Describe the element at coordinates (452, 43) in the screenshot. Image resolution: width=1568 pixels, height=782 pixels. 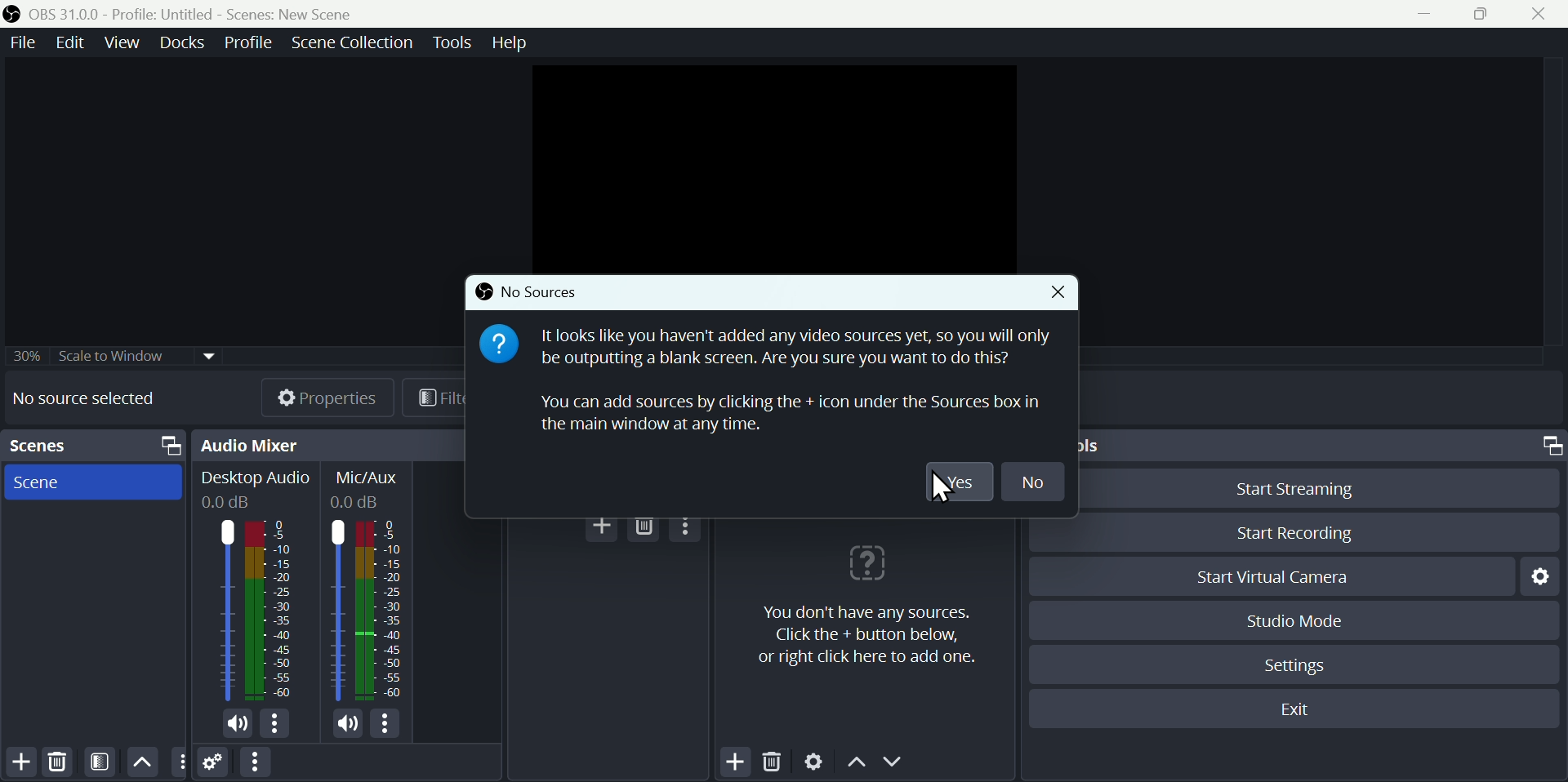
I see `Tools` at that location.